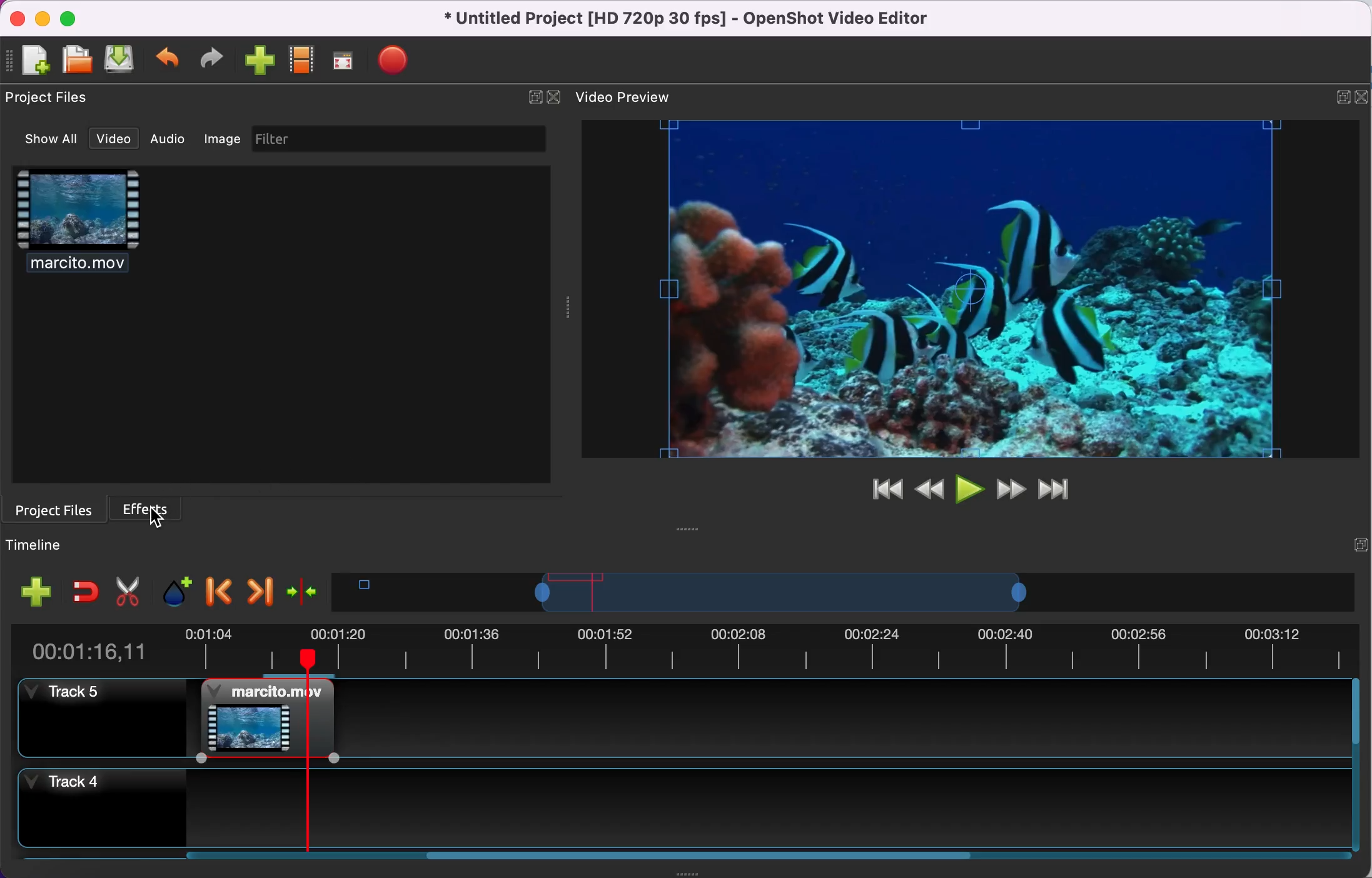 This screenshot has height=878, width=1372. I want to click on next marker, so click(258, 589).